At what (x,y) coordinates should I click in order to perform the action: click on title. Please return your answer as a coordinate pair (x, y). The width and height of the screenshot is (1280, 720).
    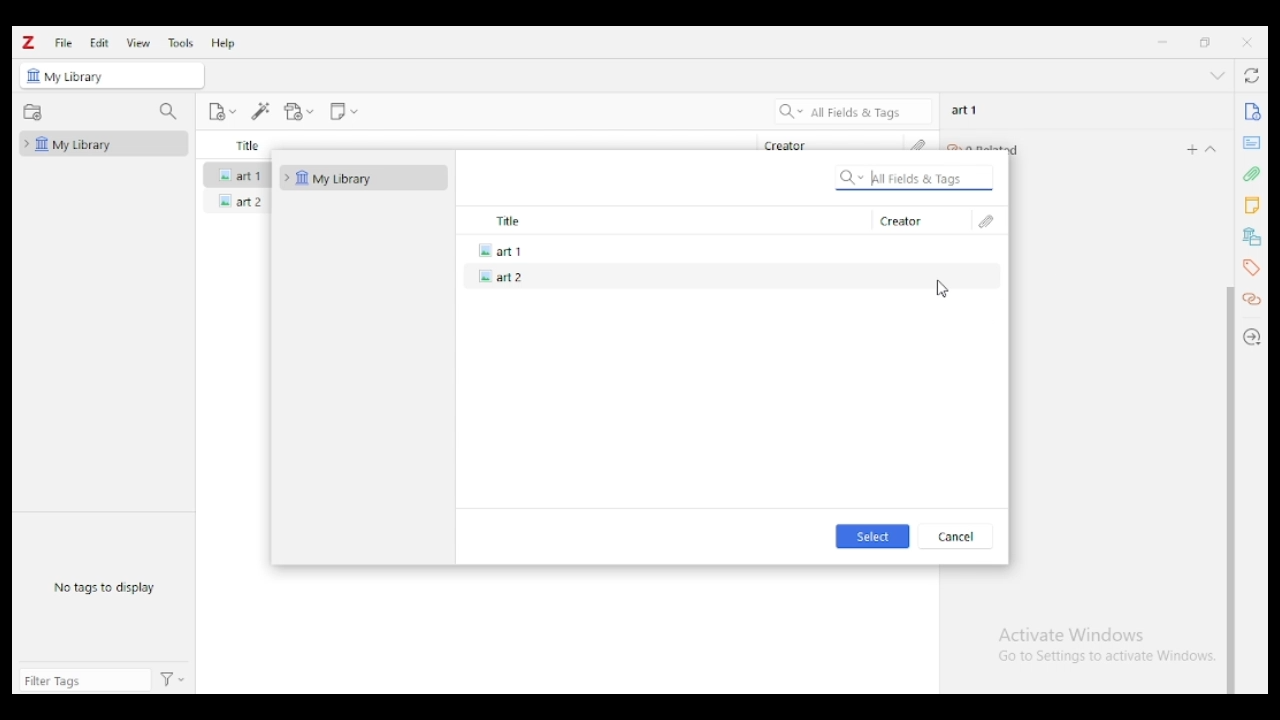
    Looking at the image, I should click on (248, 145).